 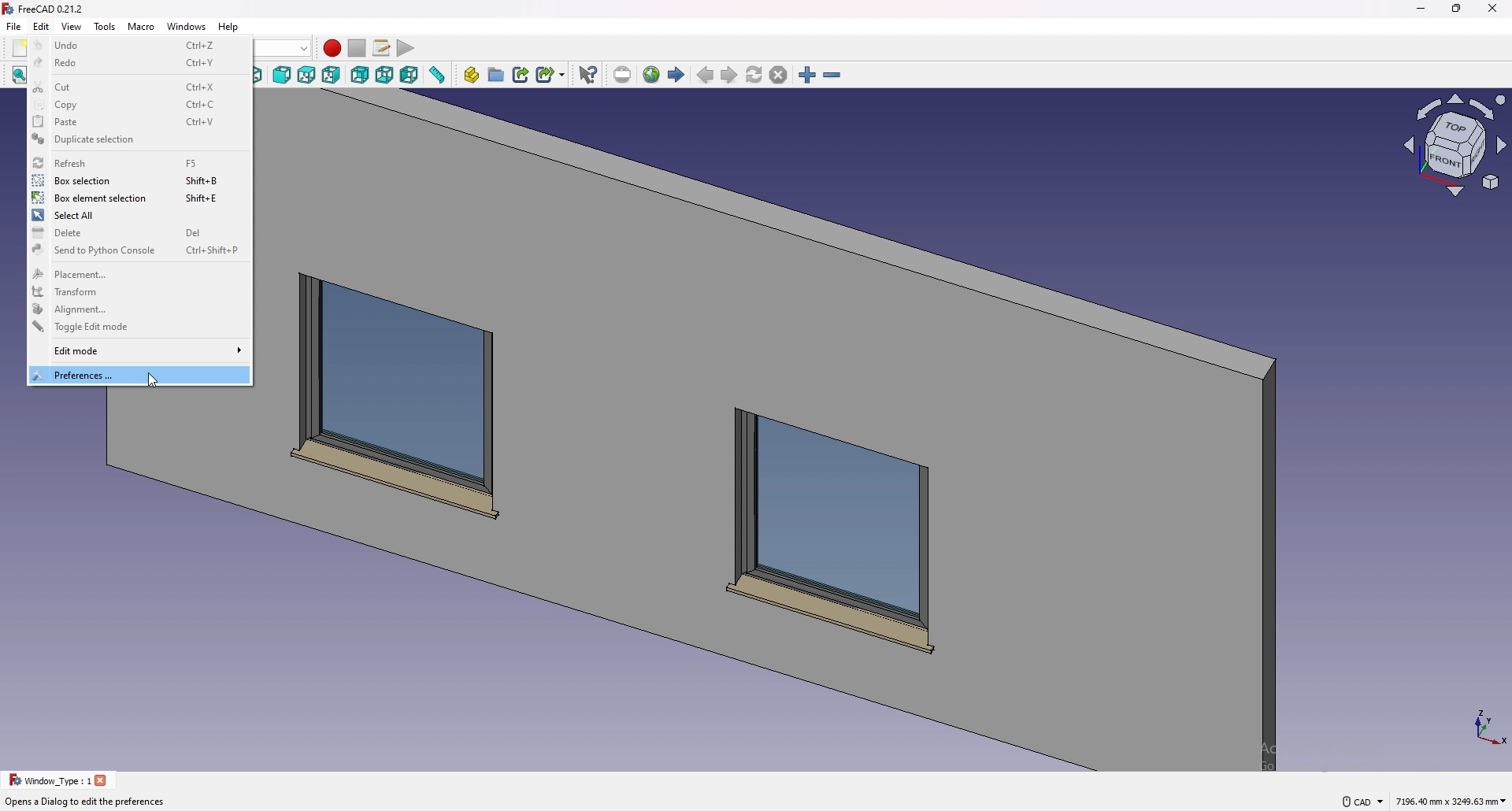 I want to click on copy  Ctrl+C, so click(x=139, y=105).